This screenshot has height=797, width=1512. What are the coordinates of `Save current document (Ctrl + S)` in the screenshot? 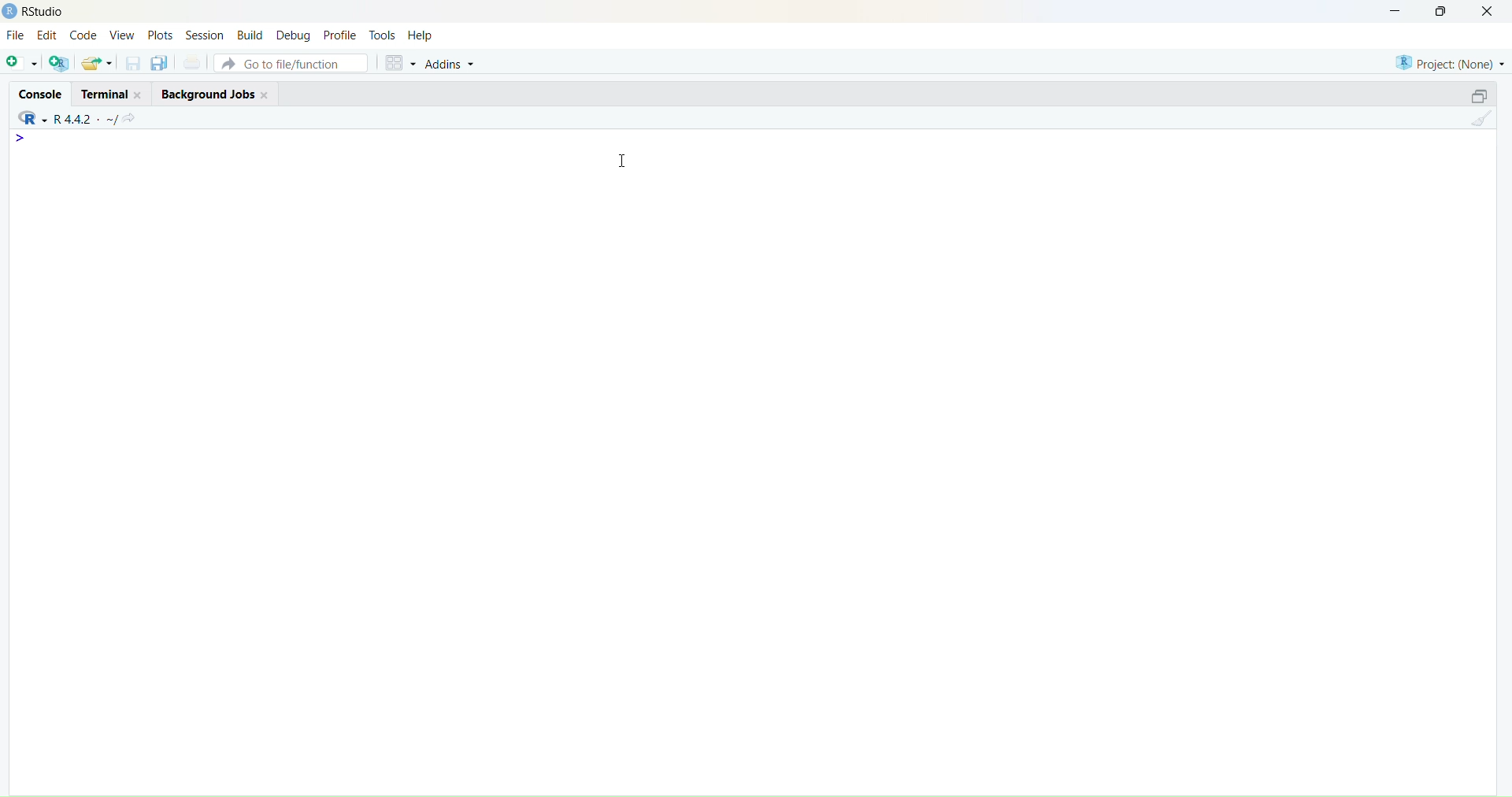 It's located at (132, 65).